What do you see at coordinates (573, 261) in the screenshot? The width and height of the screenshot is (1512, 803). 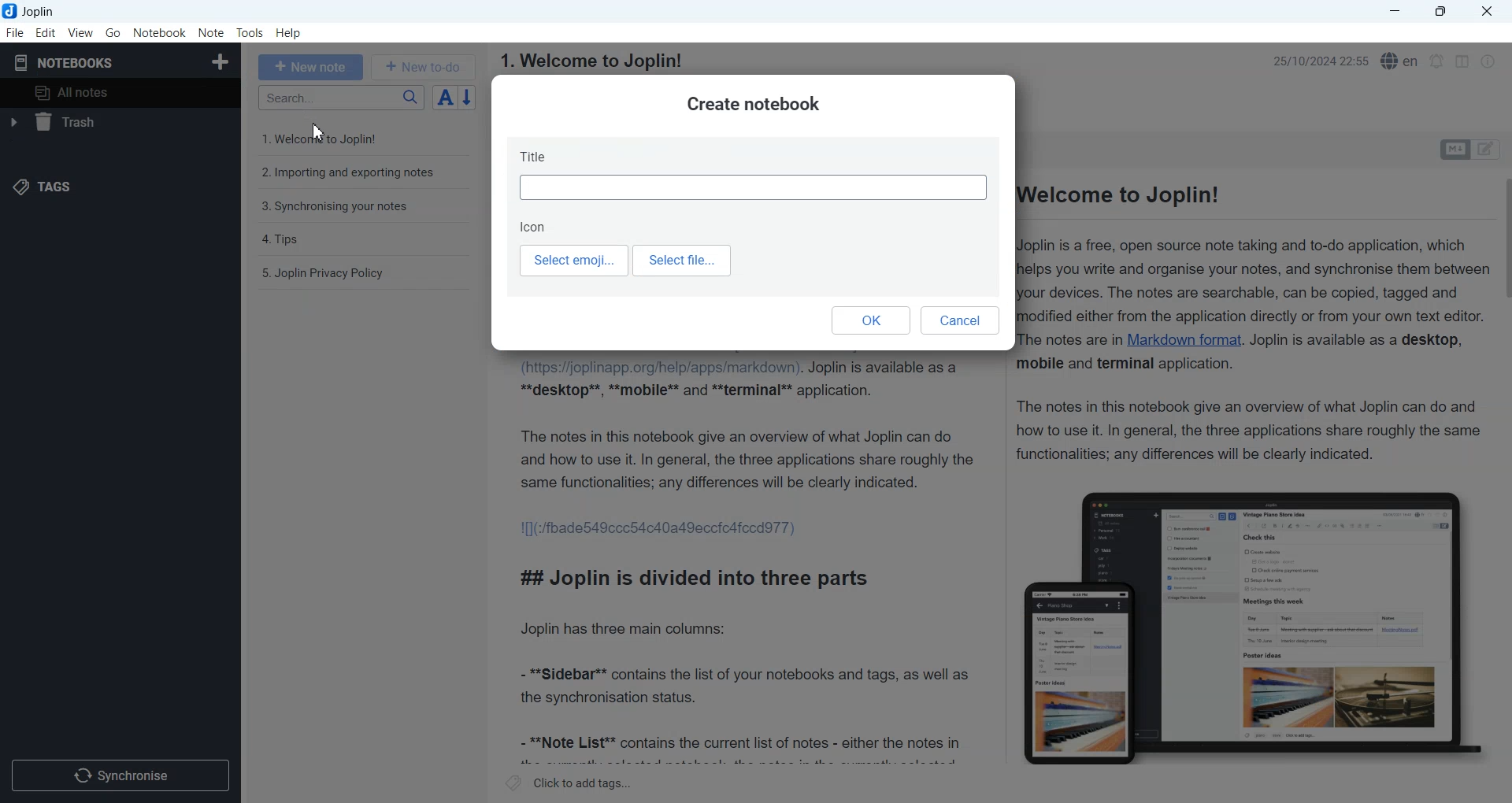 I see `Select emoji...` at bounding box center [573, 261].